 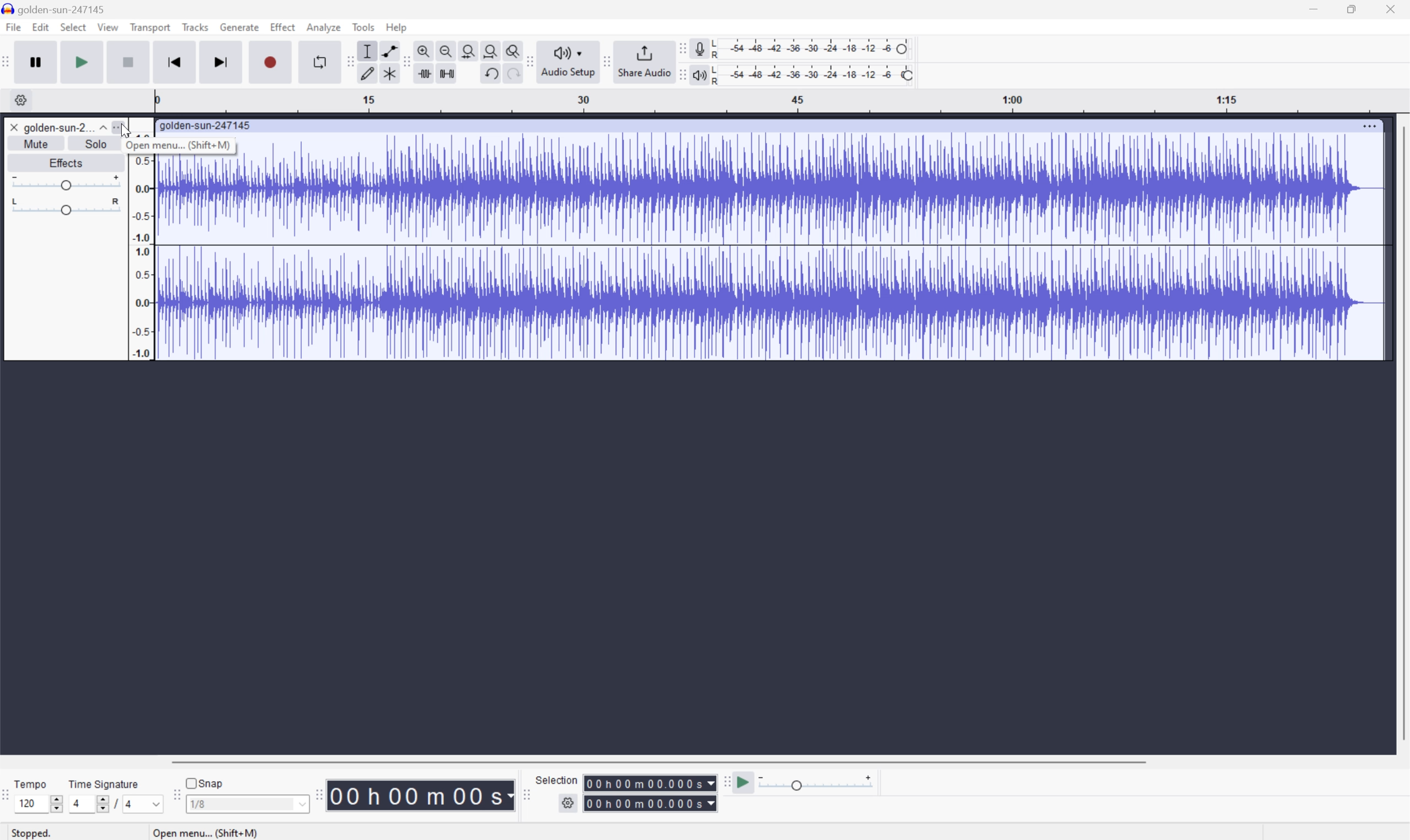 I want to click on Skip to end, so click(x=223, y=60).